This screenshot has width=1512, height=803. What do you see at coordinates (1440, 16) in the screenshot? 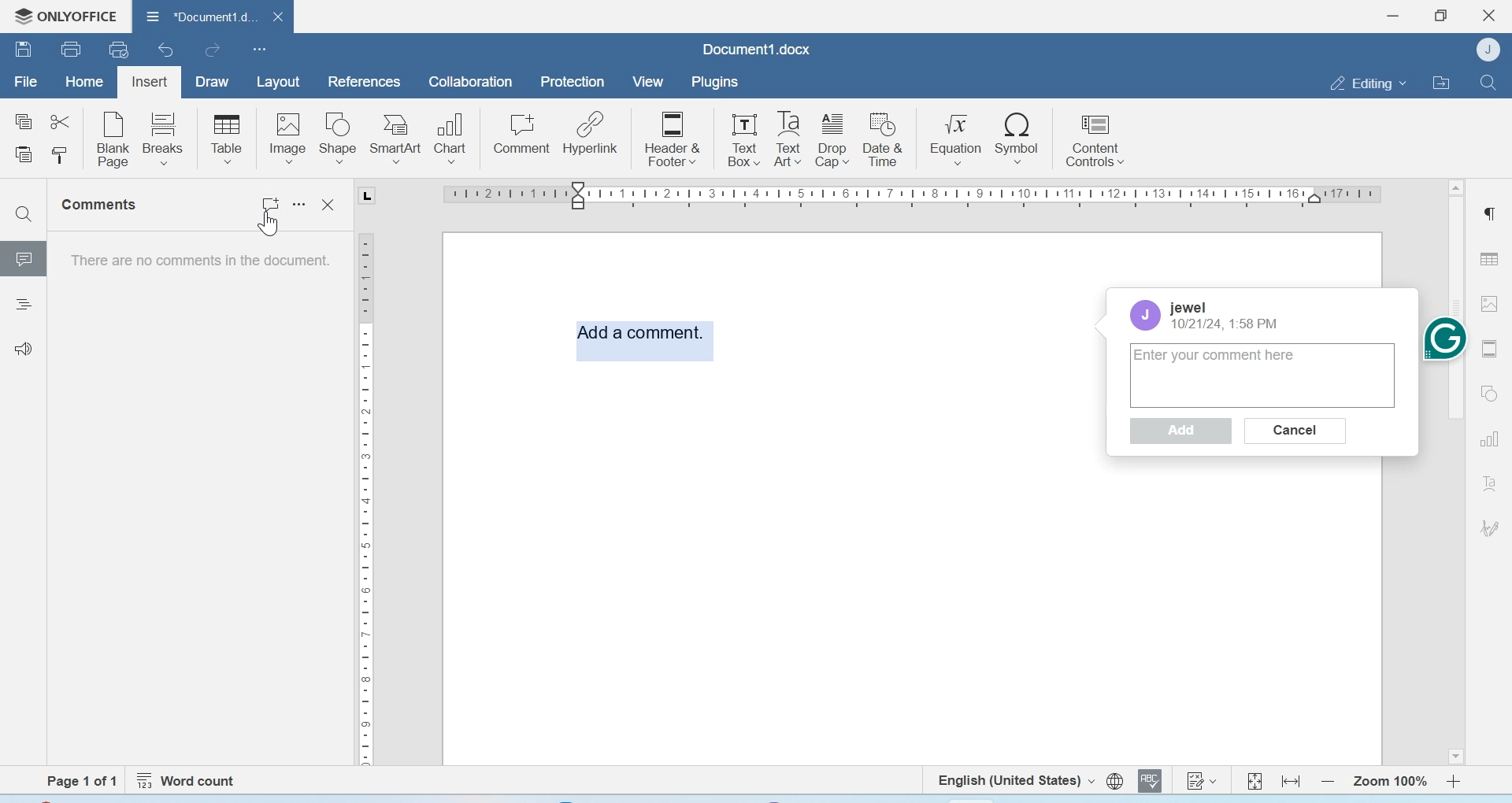
I see `Maximize` at bounding box center [1440, 16].